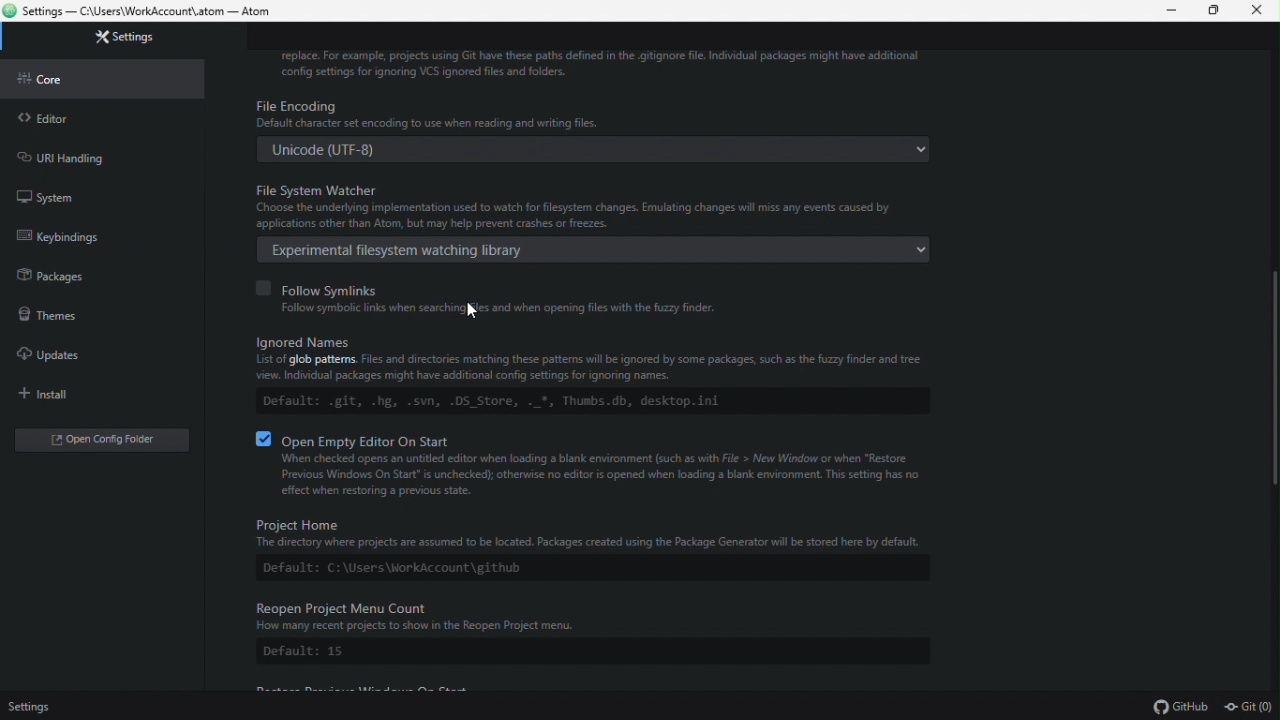 Image resolution: width=1280 pixels, height=720 pixels. Describe the element at coordinates (119, 37) in the screenshot. I see `Settings` at that location.